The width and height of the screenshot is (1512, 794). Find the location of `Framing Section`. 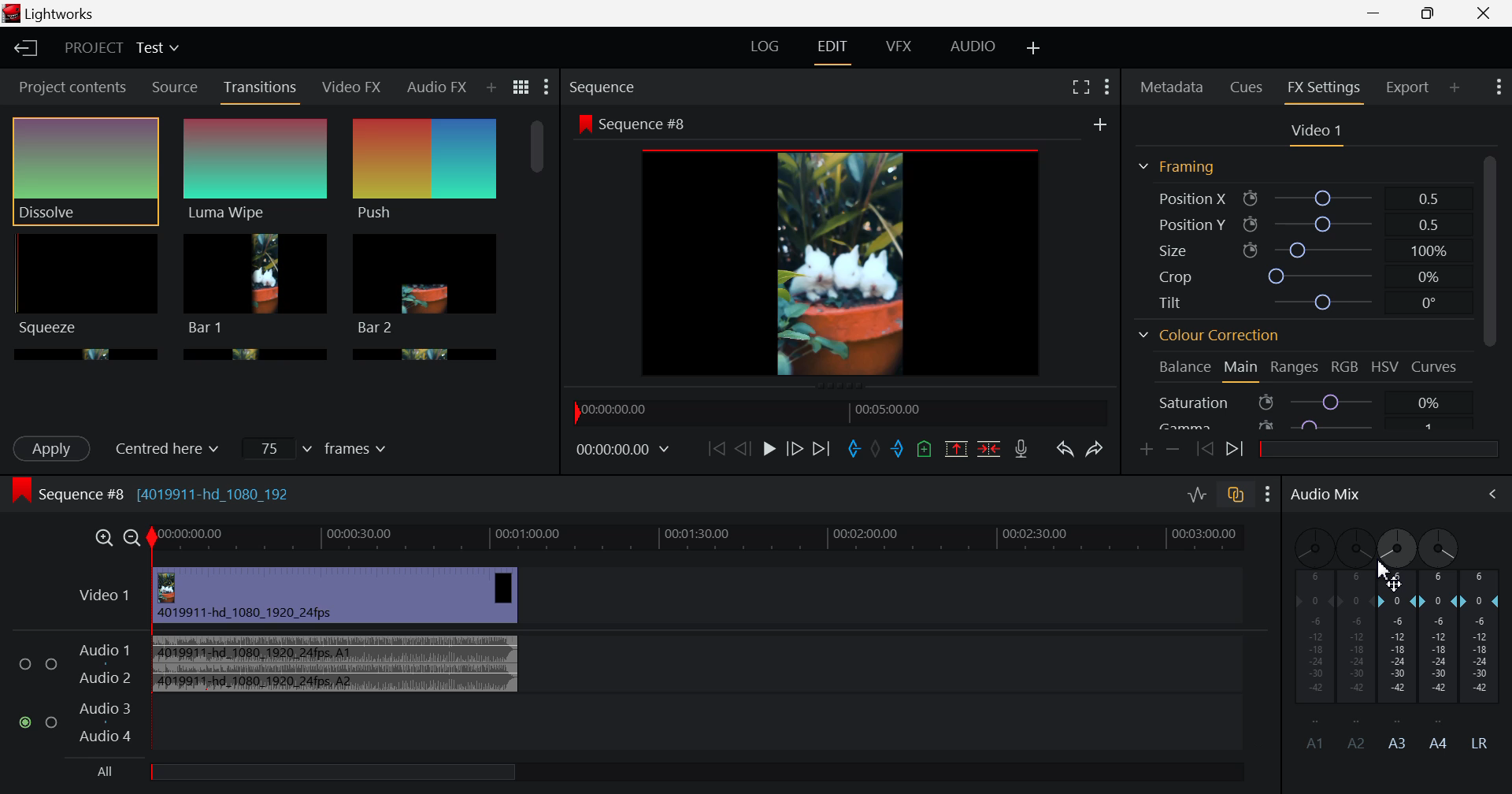

Framing Section is located at coordinates (1180, 167).